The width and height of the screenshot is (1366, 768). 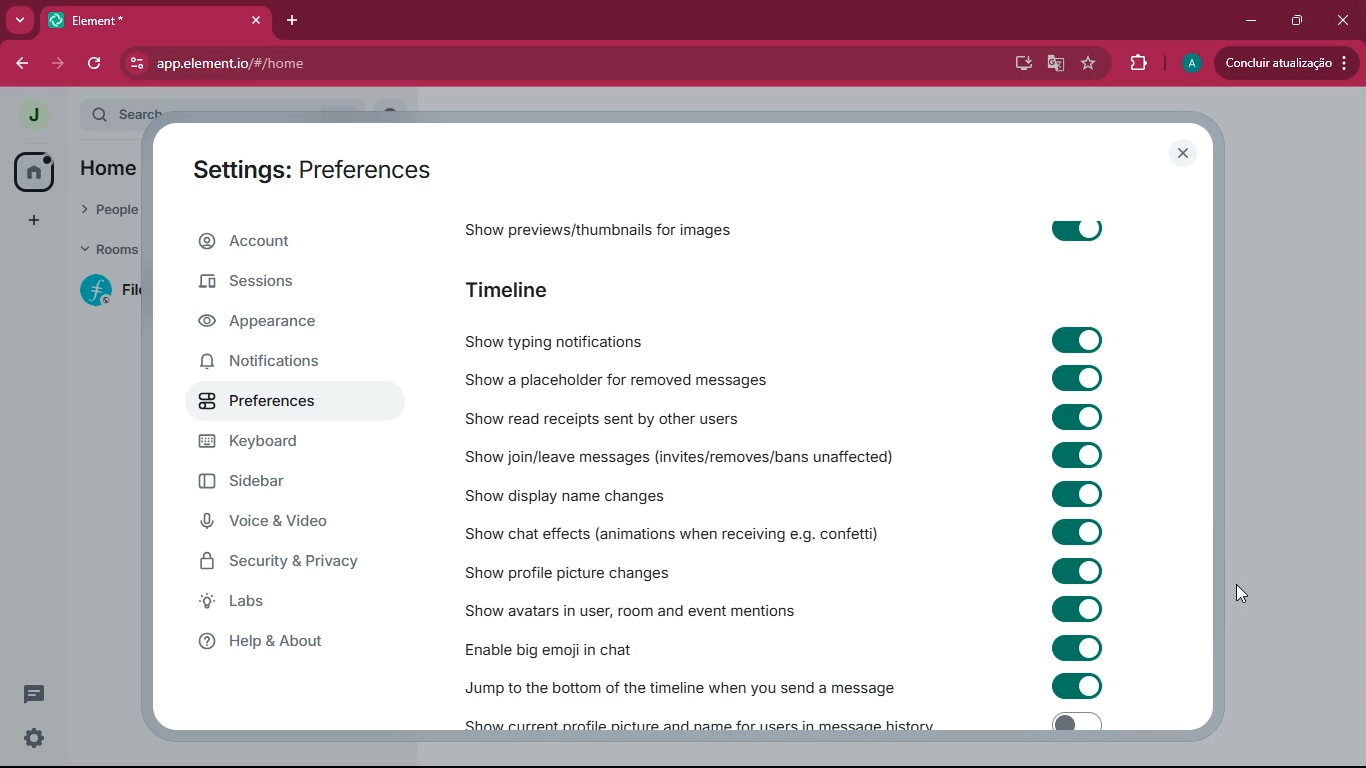 I want to click on home, so click(x=107, y=173).